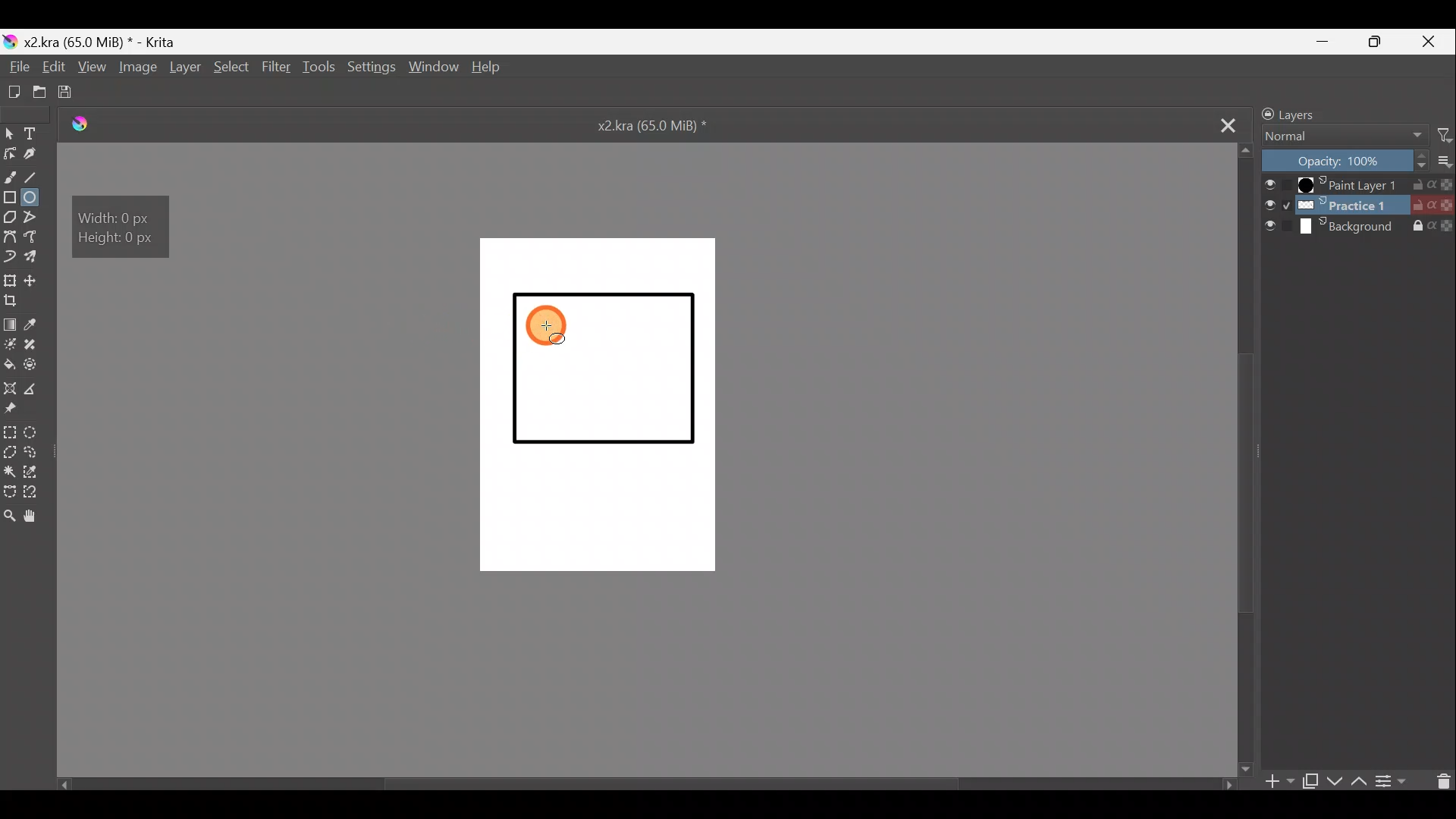  Describe the element at coordinates (1332, 42) in the screenshot. I see `Minimize` at that location.